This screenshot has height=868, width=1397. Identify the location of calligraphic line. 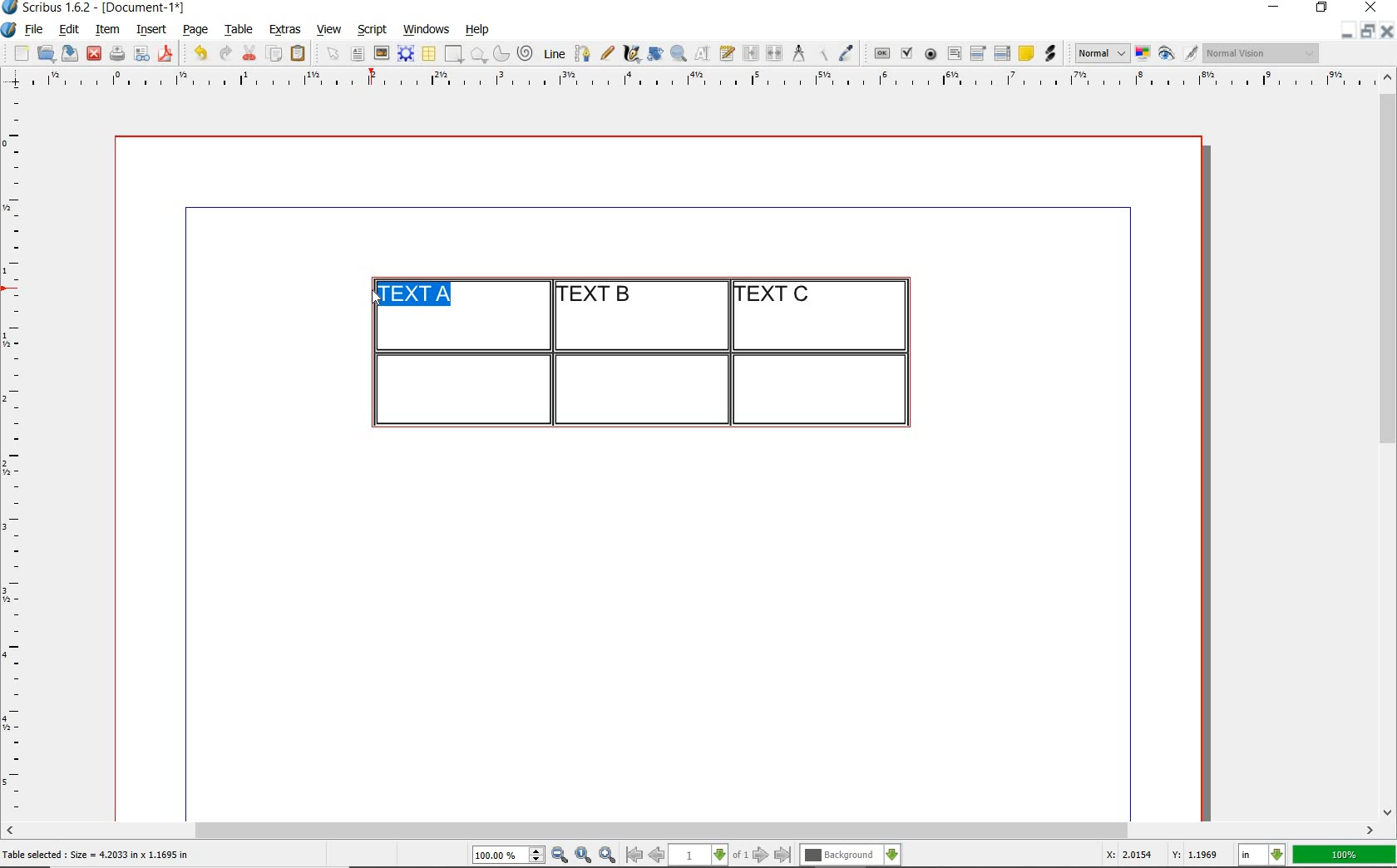
(633, 53).